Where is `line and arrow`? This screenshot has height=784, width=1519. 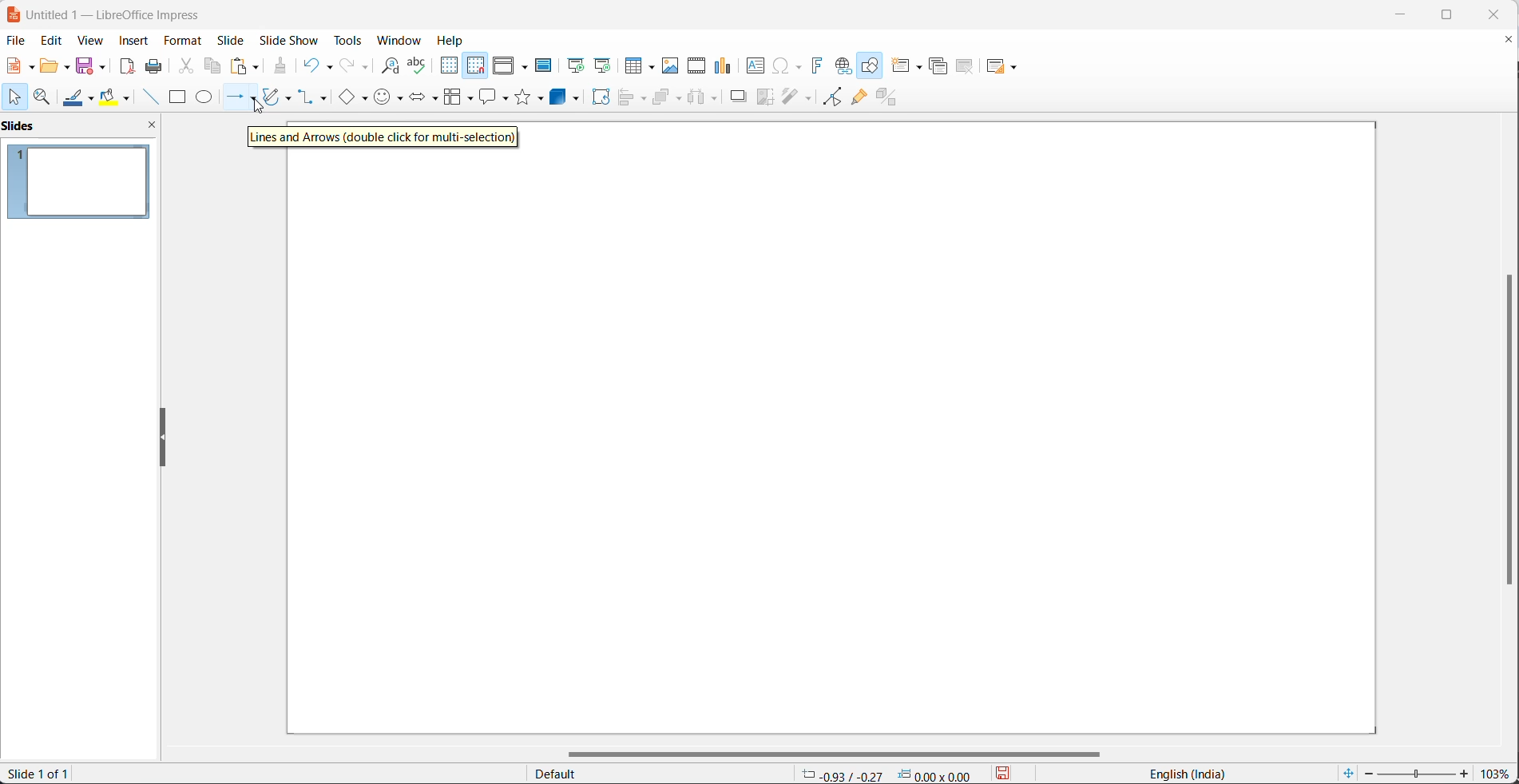
line and arrow is located at coordinates (232, 98).